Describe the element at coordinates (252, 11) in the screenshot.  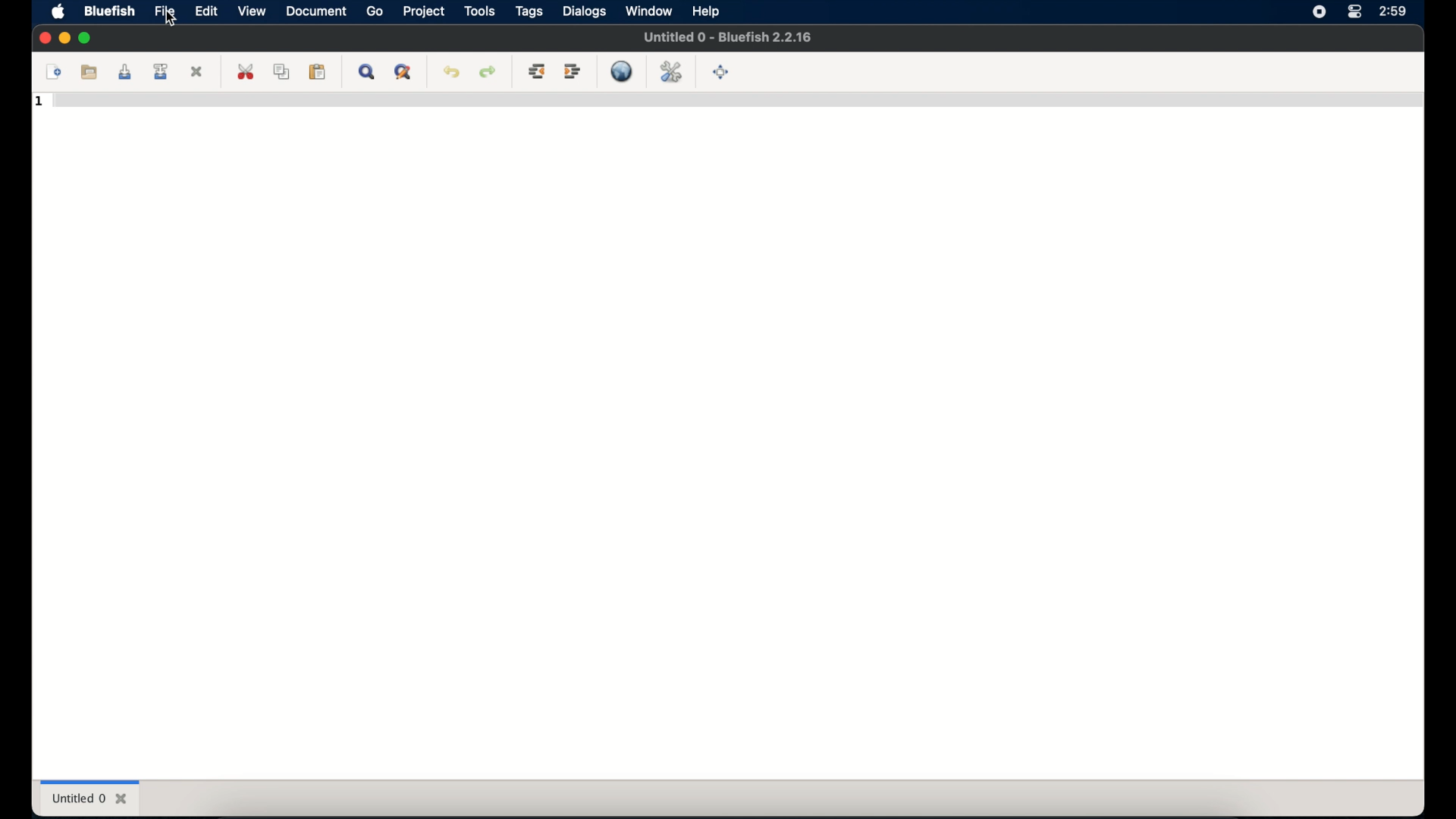
I see `view` at that location.